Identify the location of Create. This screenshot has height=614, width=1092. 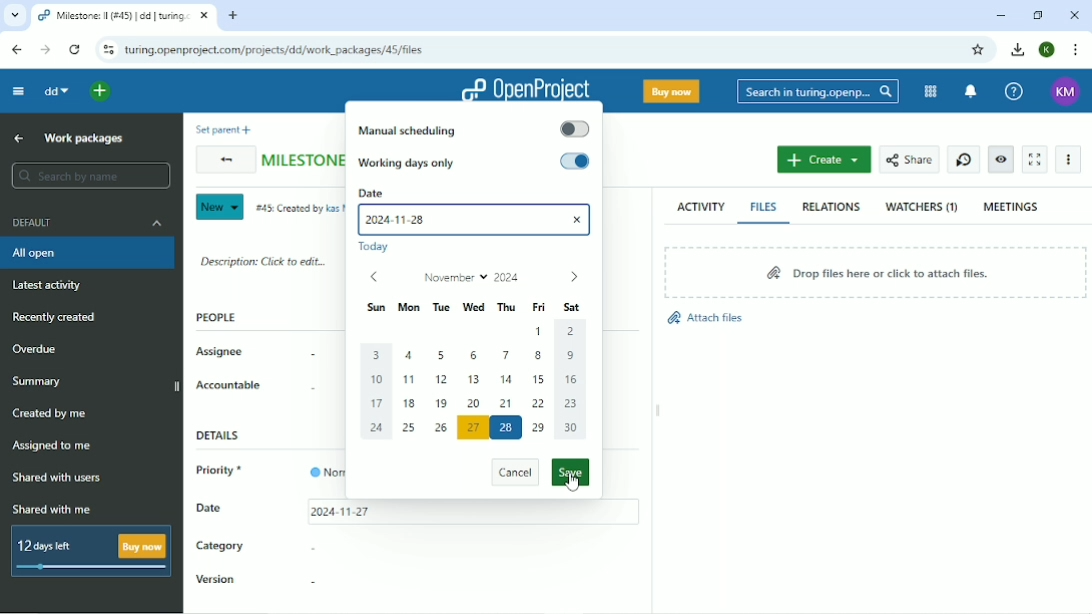
(824, 159).